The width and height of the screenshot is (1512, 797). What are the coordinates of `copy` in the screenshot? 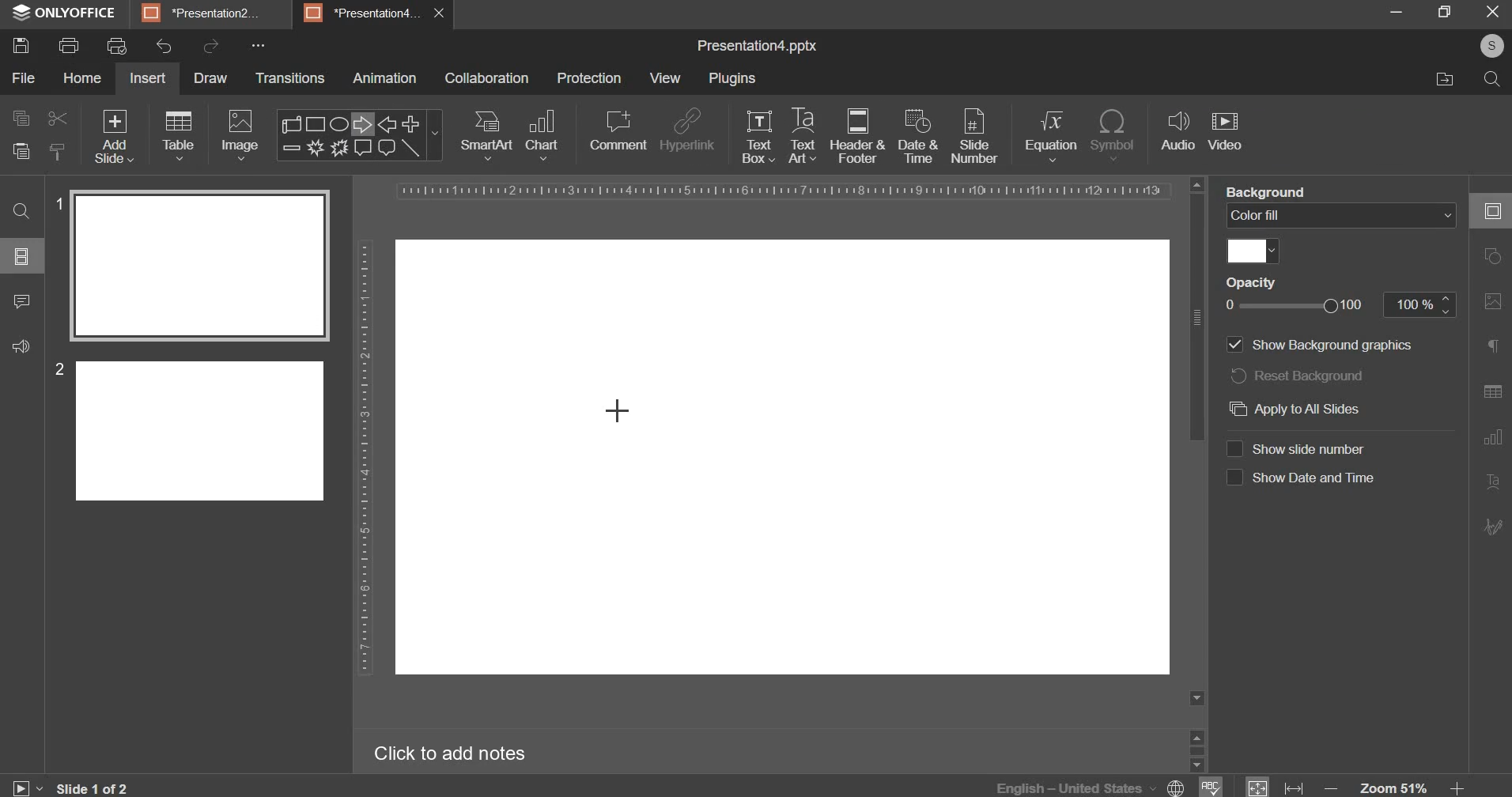 It's located at (21, 117).